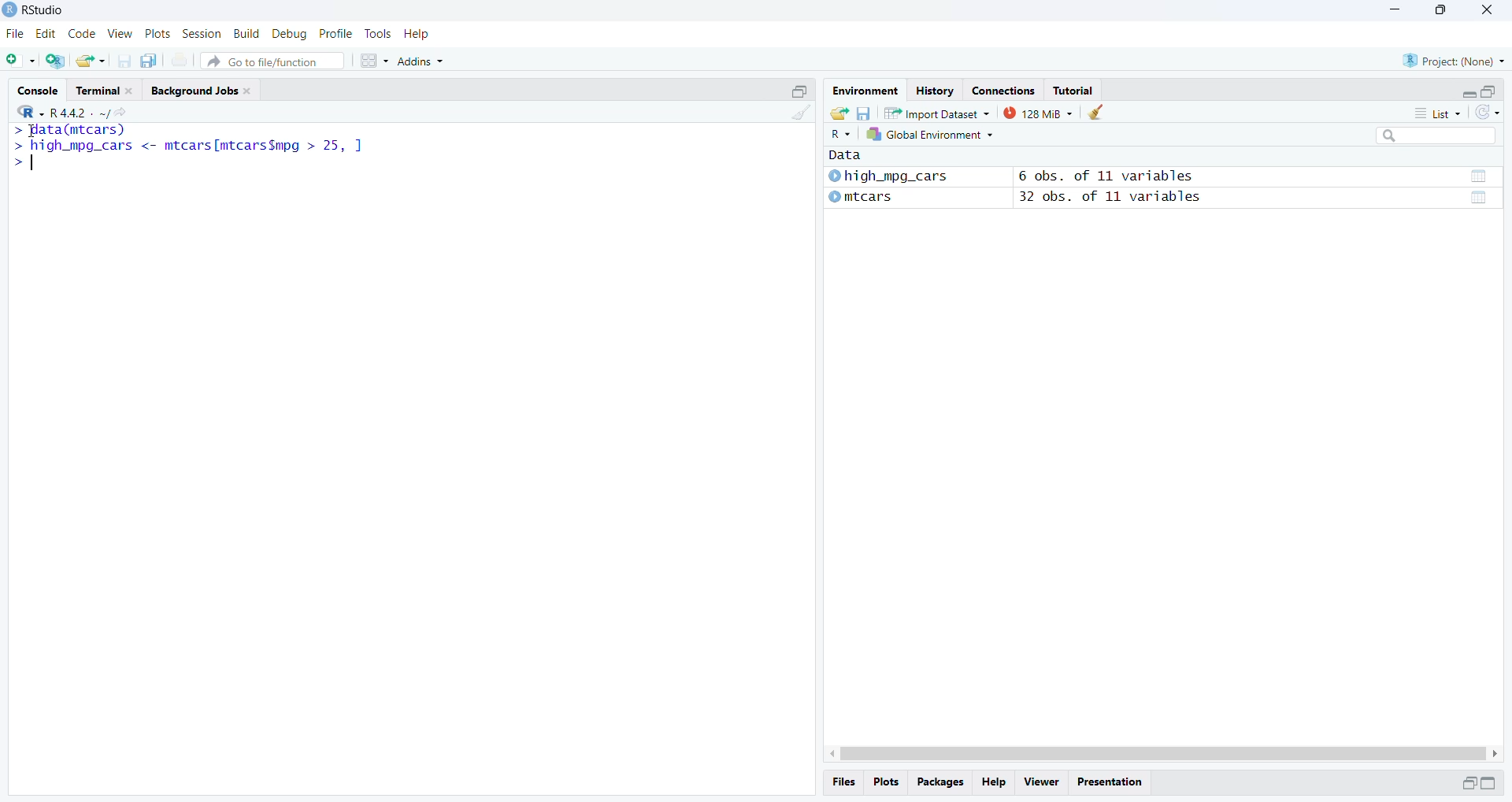  Describe the element at coordinates (934, 89) in the screenshot. I see `History` at that location.